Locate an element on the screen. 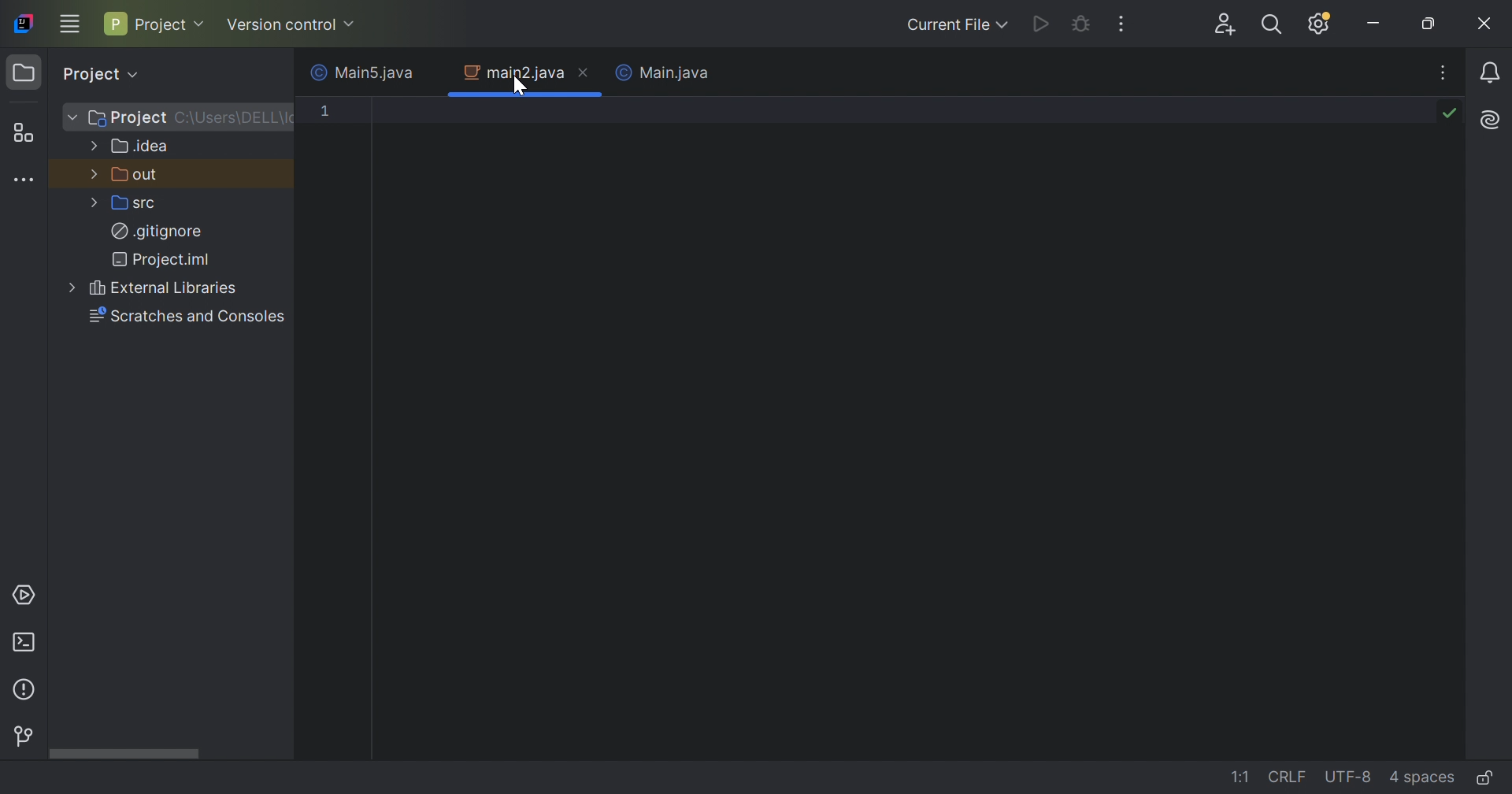 The image size is (1512, 794). Services is located at coordinates (27, 593).